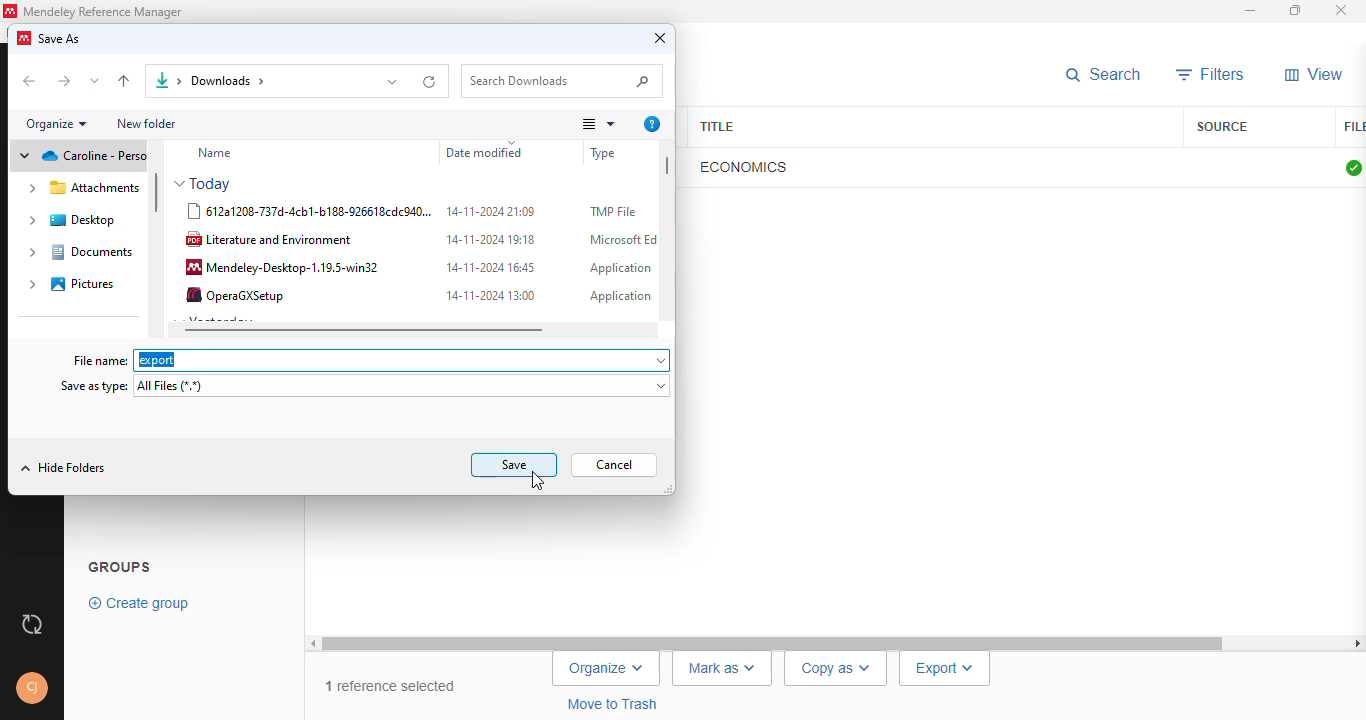  I want to click on search, so click(1103, 75).